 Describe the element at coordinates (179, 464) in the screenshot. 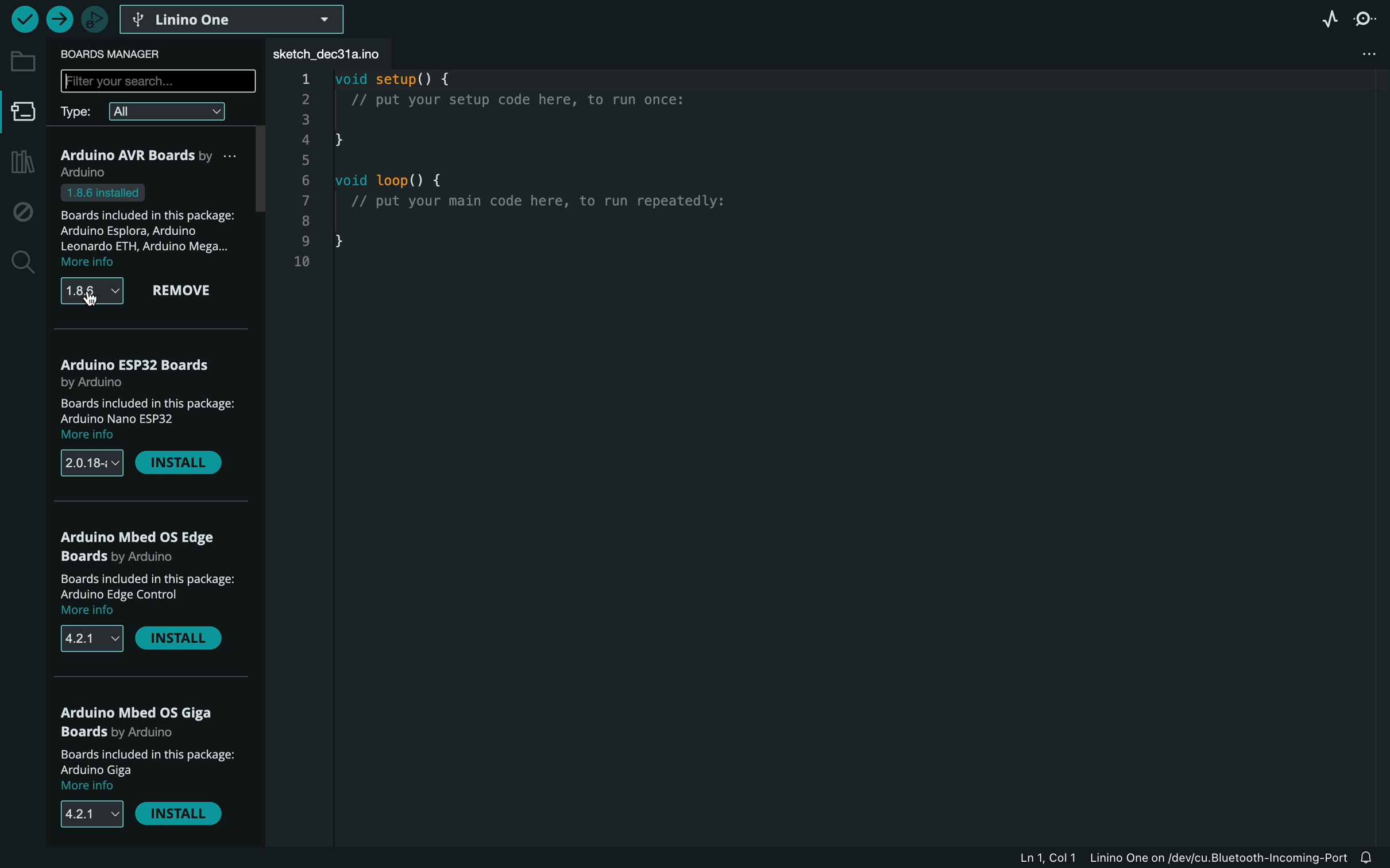

I see `install` at that location.